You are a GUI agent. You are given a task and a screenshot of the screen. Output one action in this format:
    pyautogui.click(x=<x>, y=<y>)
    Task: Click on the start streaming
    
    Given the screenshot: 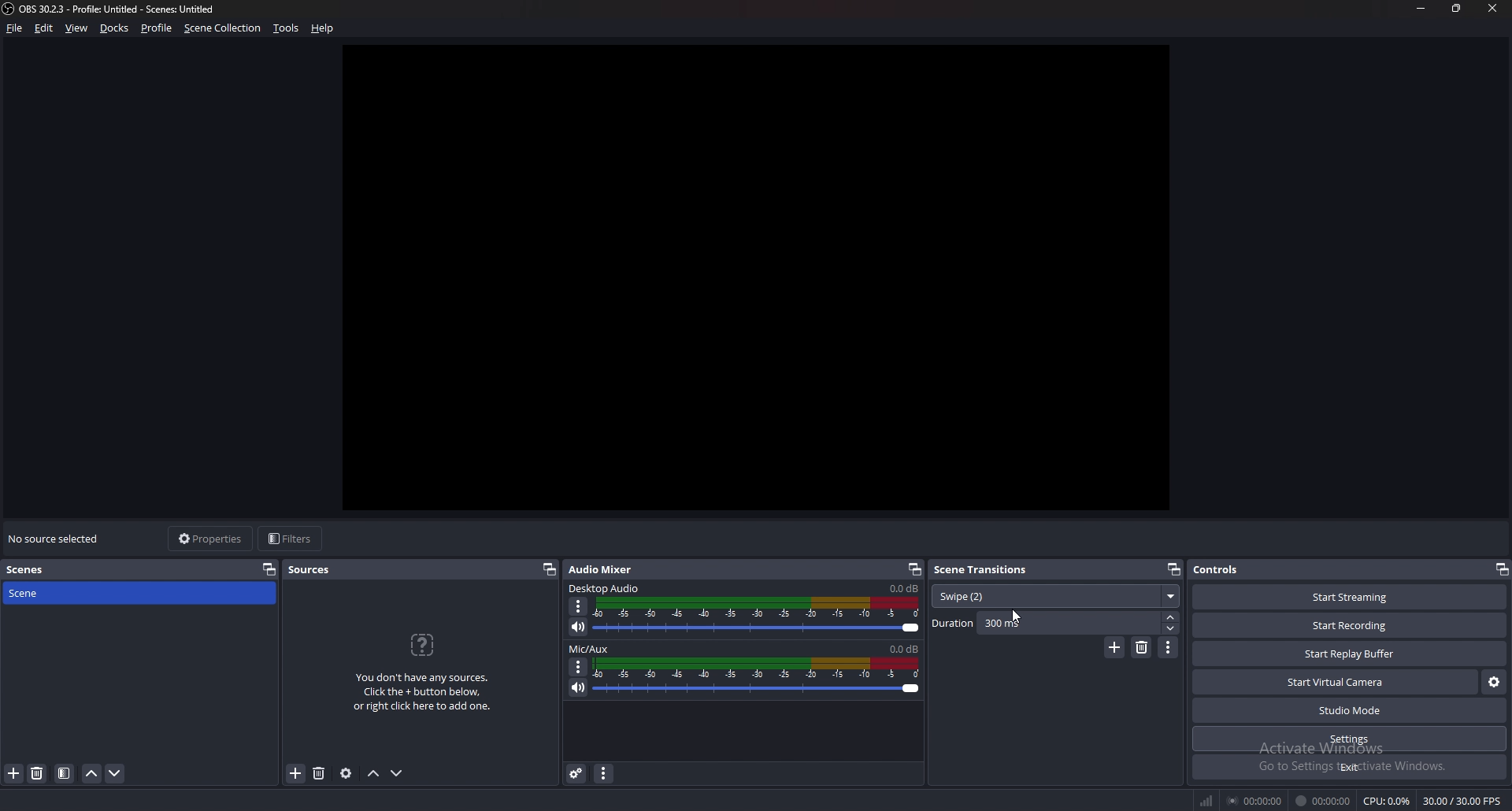 What is the action you would take?
    pyautogui.click(x=1351, y=597)
    